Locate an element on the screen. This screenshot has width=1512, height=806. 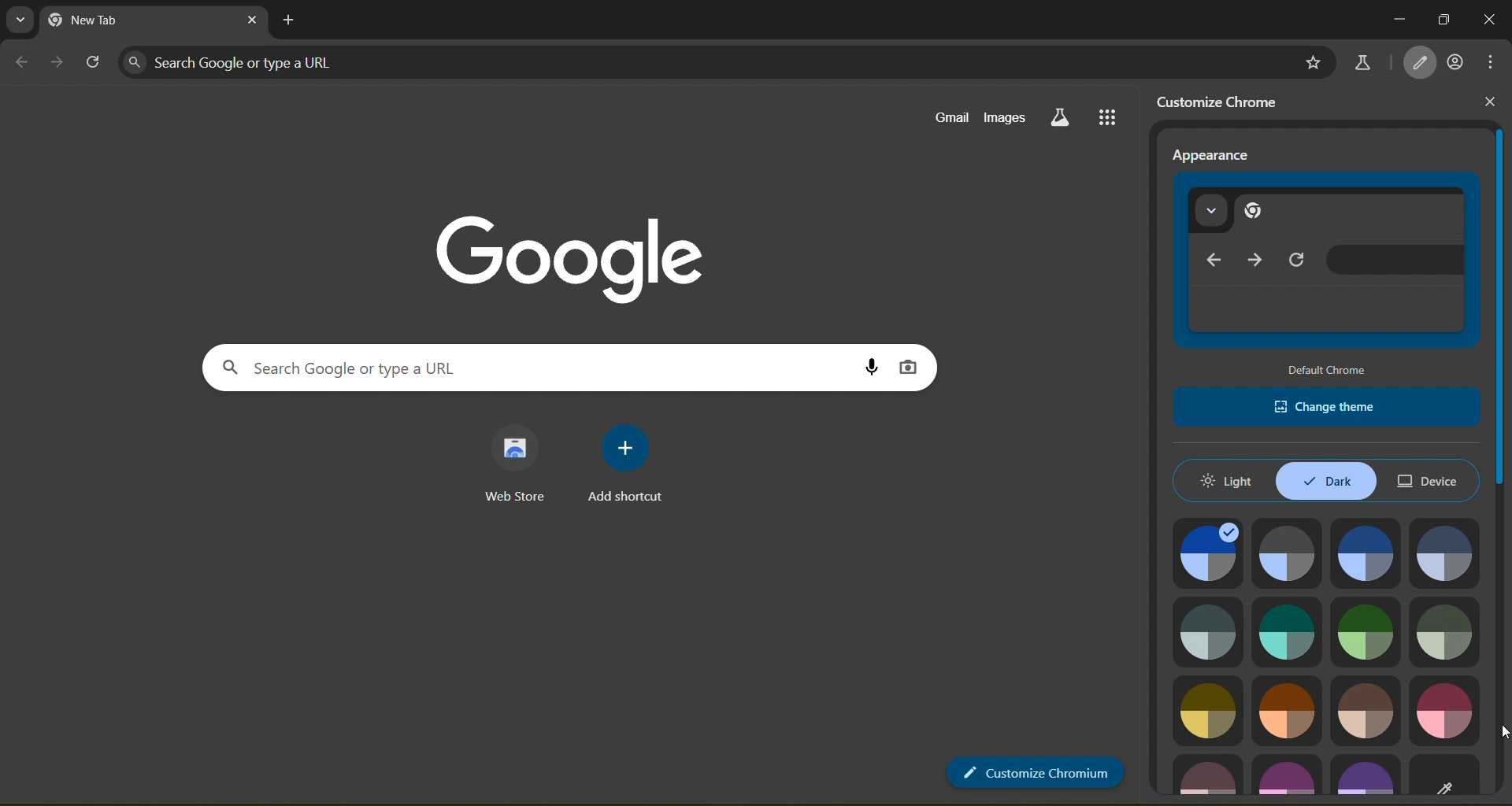
dark is located at coordinates (1329, 481).